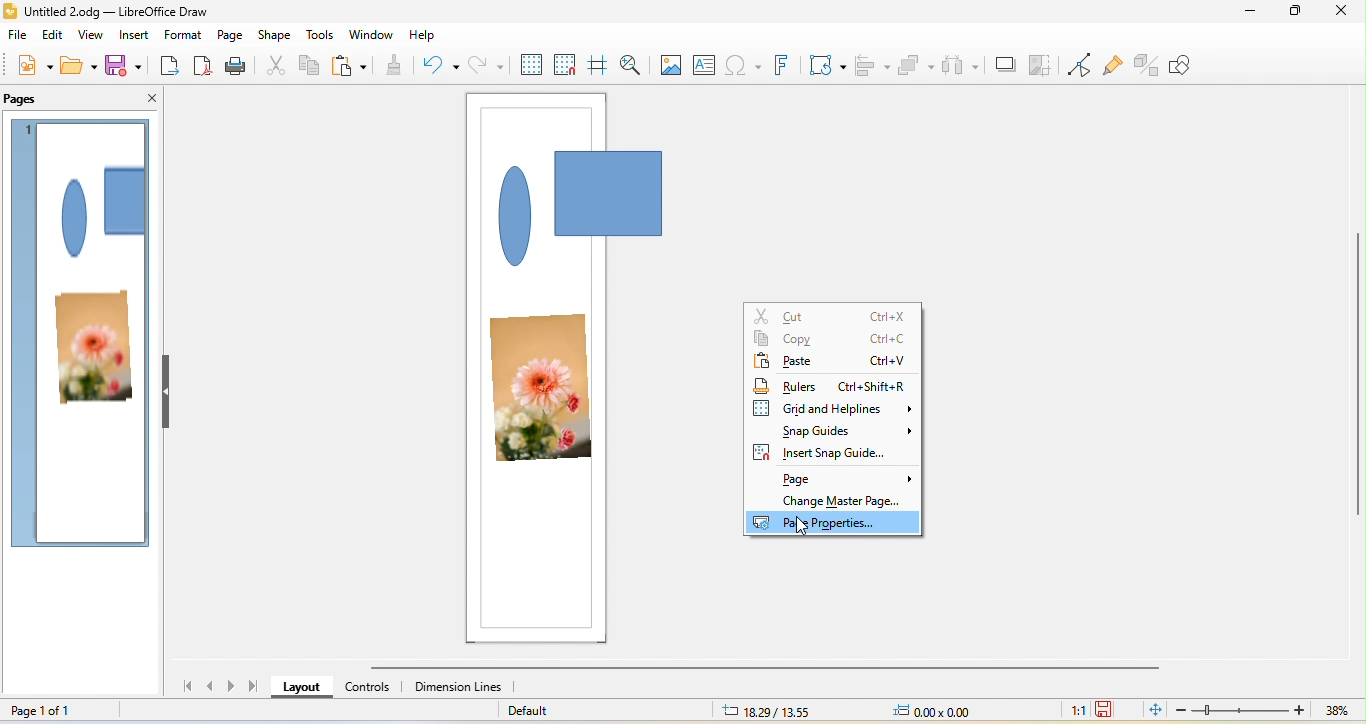 The height and width of the screenshot is (724, 1366). What do you see at coordinates (193, 689) in the screenshot?
I see ` first page` at bounding box center [193, 689].